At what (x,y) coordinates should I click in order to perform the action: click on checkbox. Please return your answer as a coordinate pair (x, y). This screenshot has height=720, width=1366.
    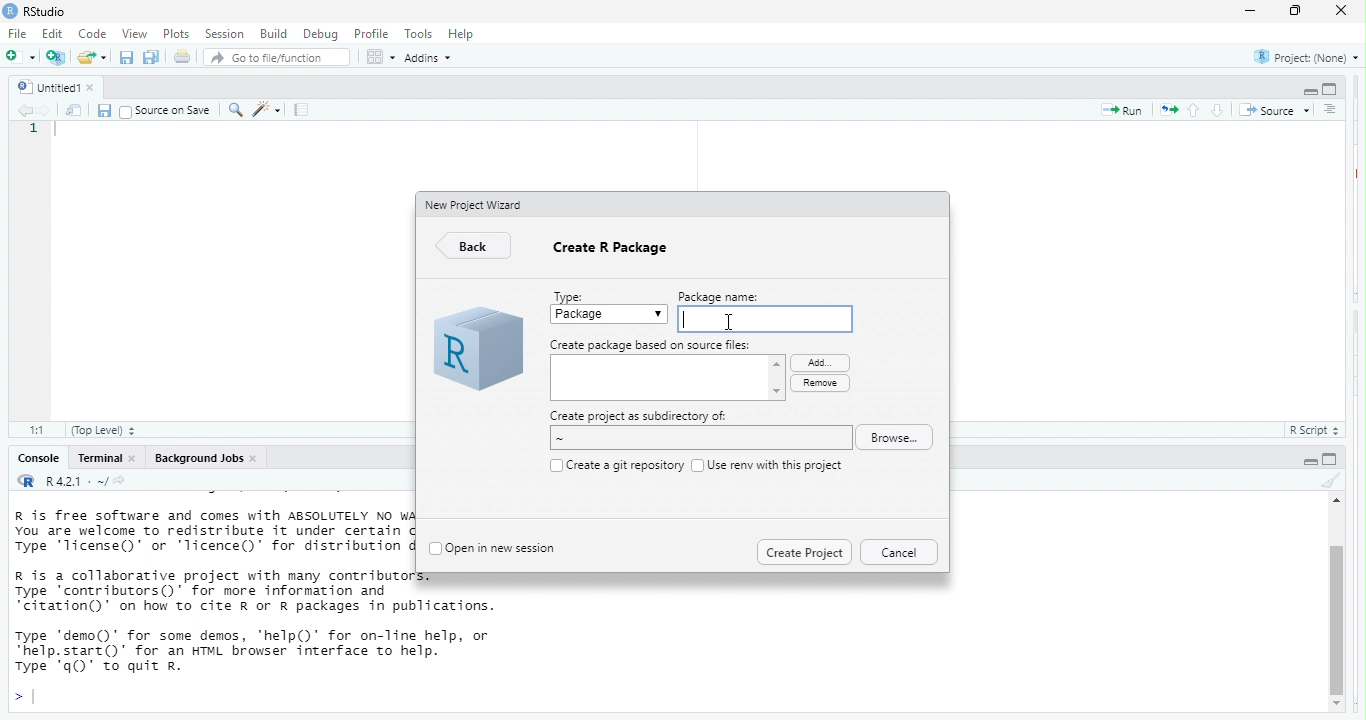
    Looking at the image, I should click on (434, 549).